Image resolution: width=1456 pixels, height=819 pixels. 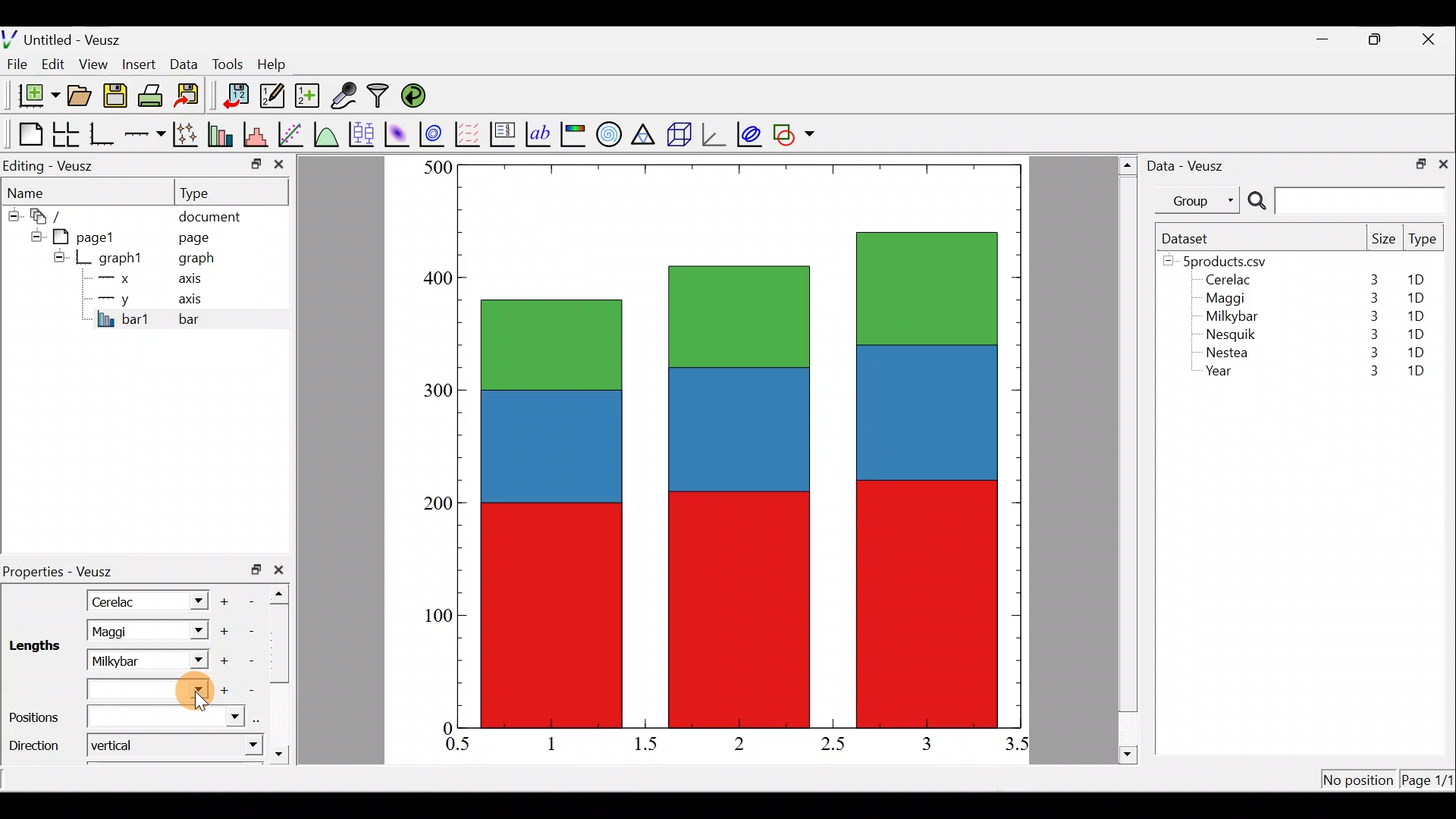 I want to click on graph1, so click(x=121, y=259).